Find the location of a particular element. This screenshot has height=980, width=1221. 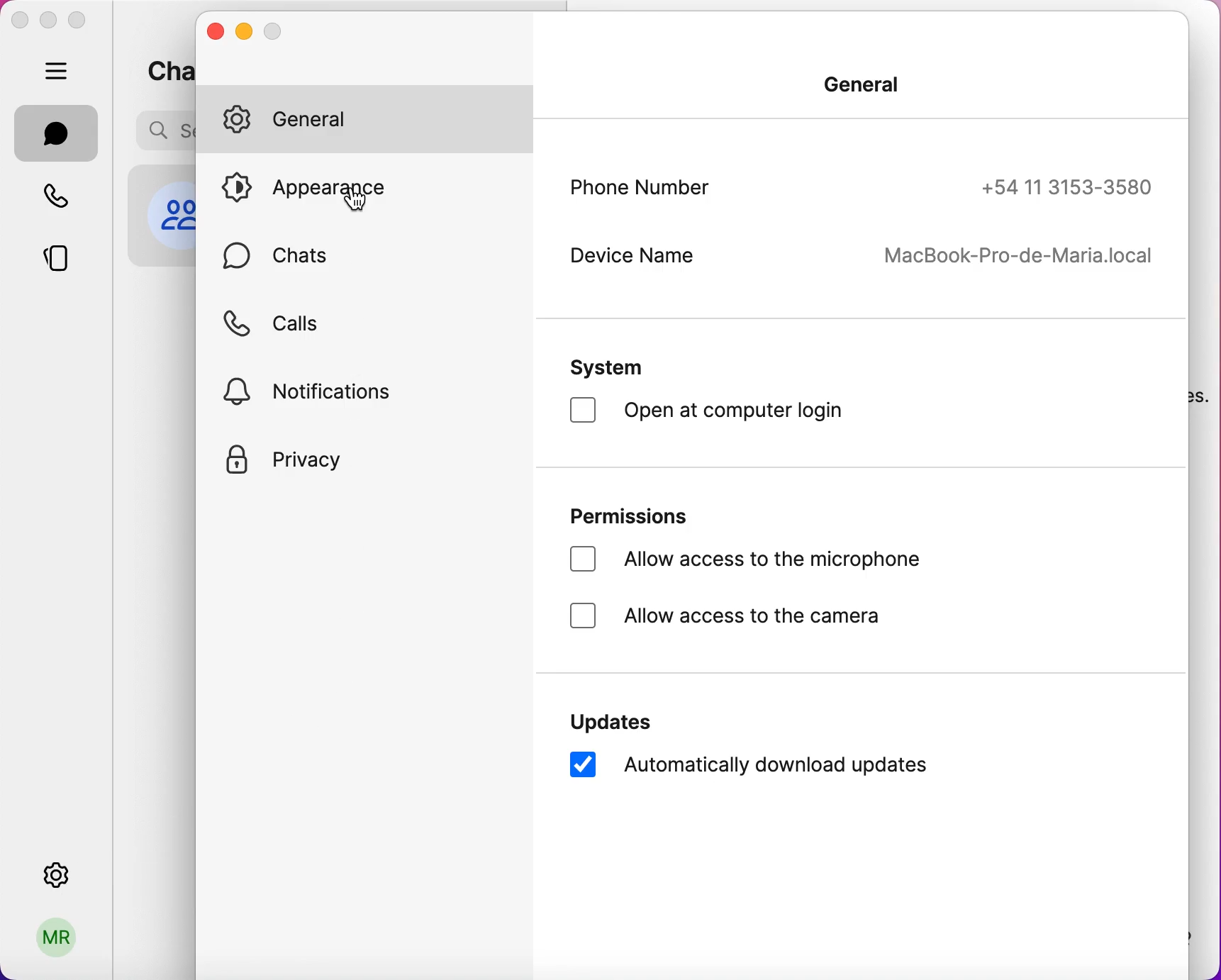

general is located at coordinates (366, 121).